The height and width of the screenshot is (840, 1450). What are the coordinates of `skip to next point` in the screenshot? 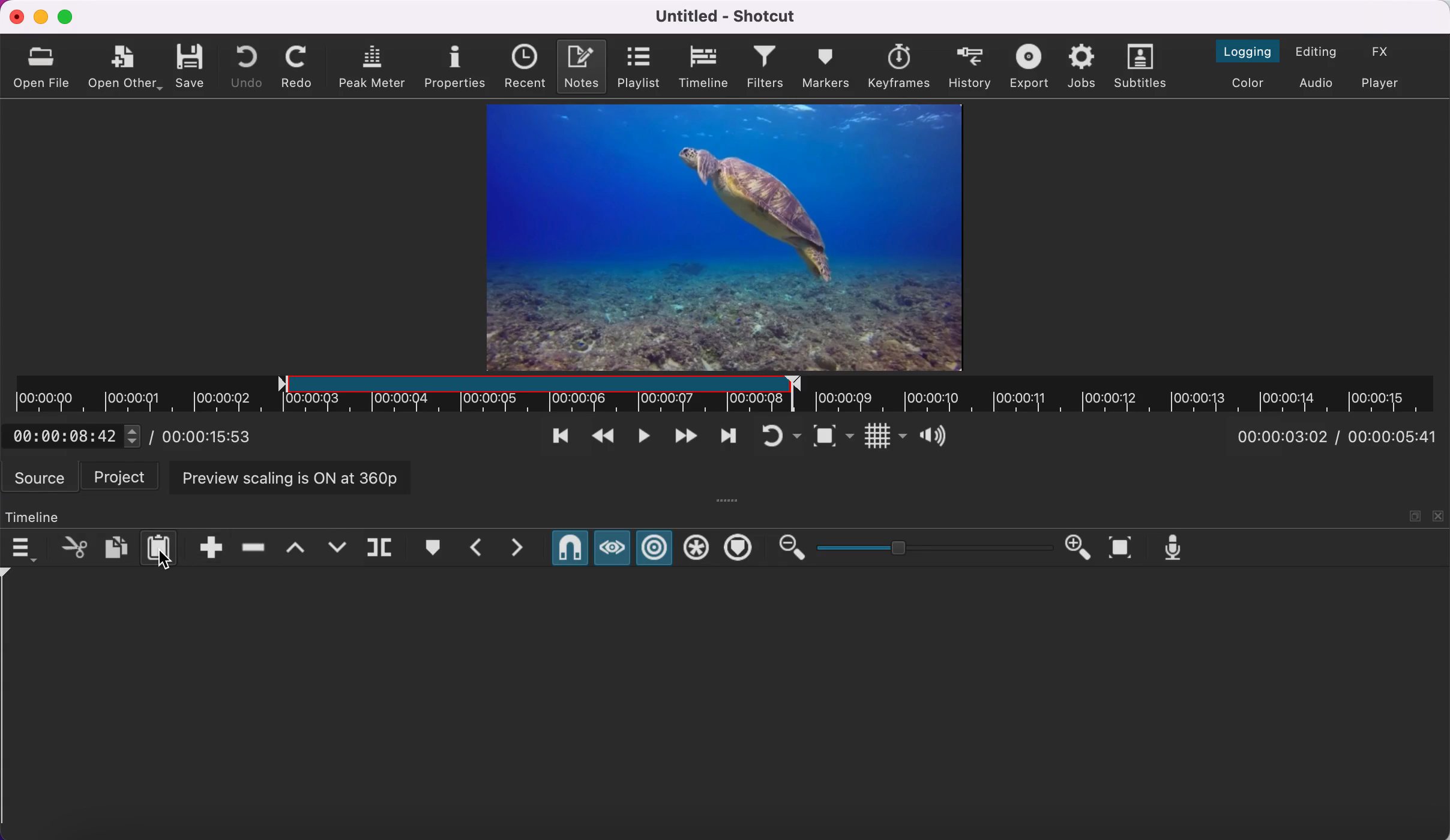 It's located at (728, 436).